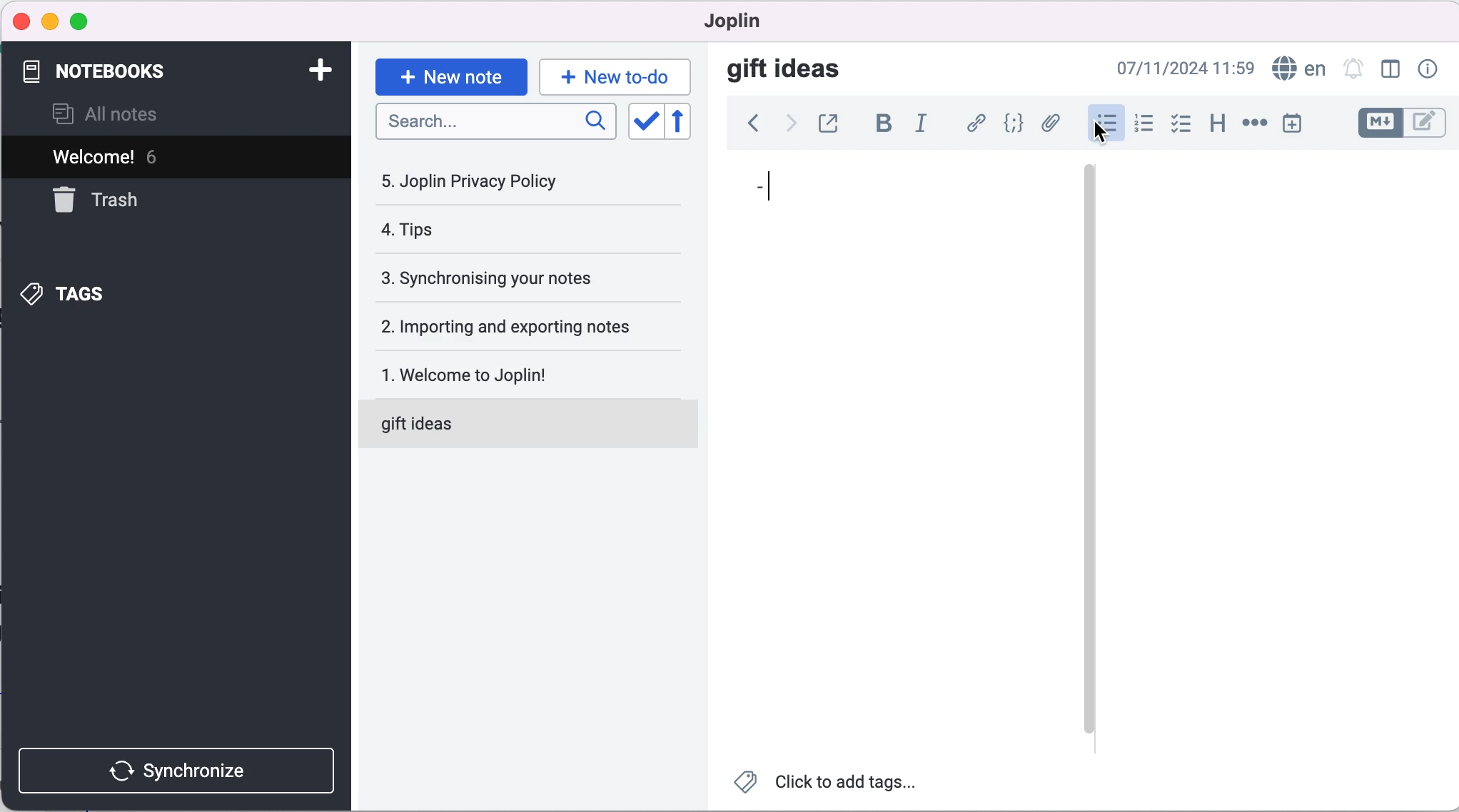  Describe the element at coordinates (490, 231) in the screenshot. I see `tips` at that location.